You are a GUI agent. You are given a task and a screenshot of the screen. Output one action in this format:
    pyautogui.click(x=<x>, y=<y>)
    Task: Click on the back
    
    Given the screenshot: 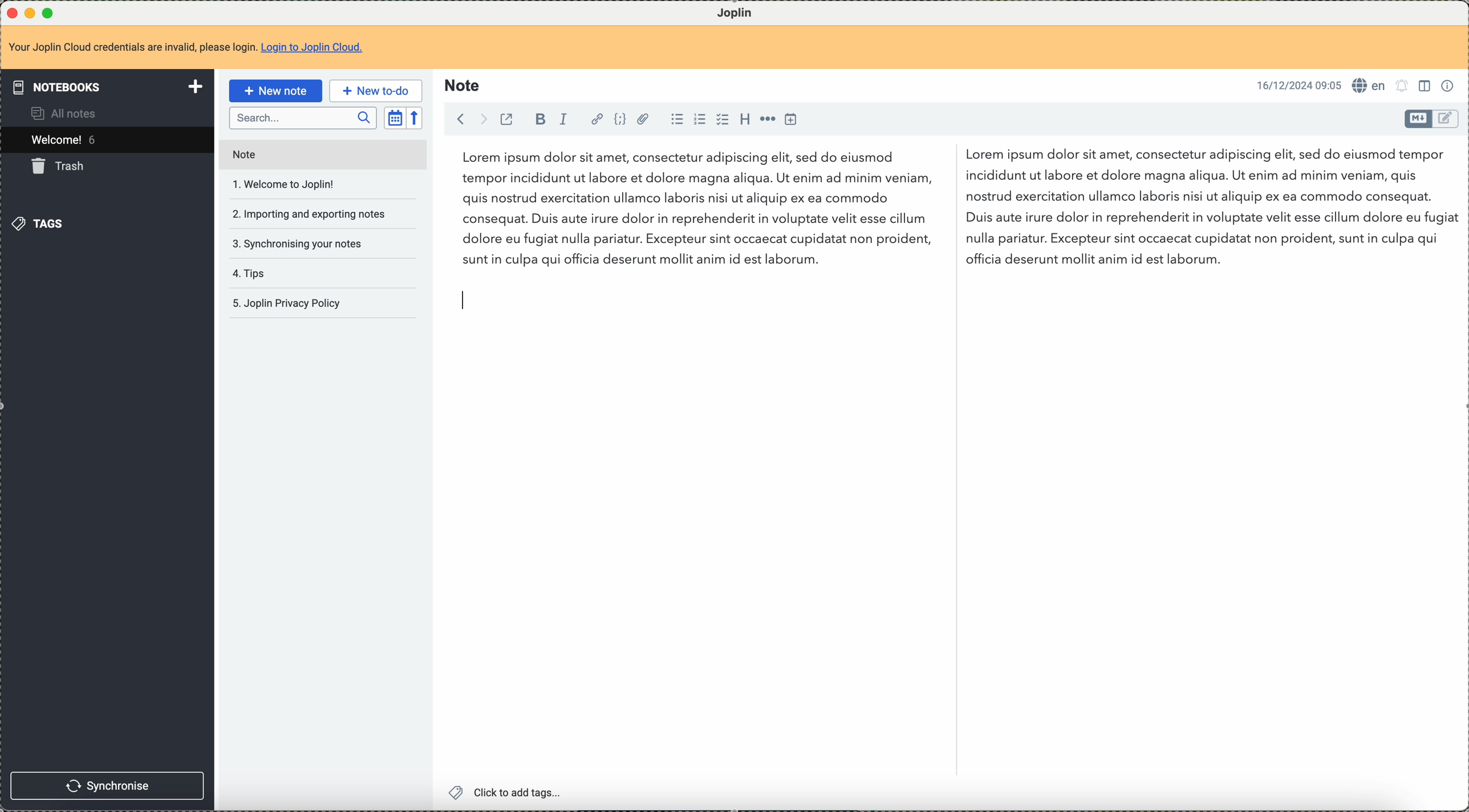 What is the action you would take?
    pyautogui.click(x=458, y=119)
    